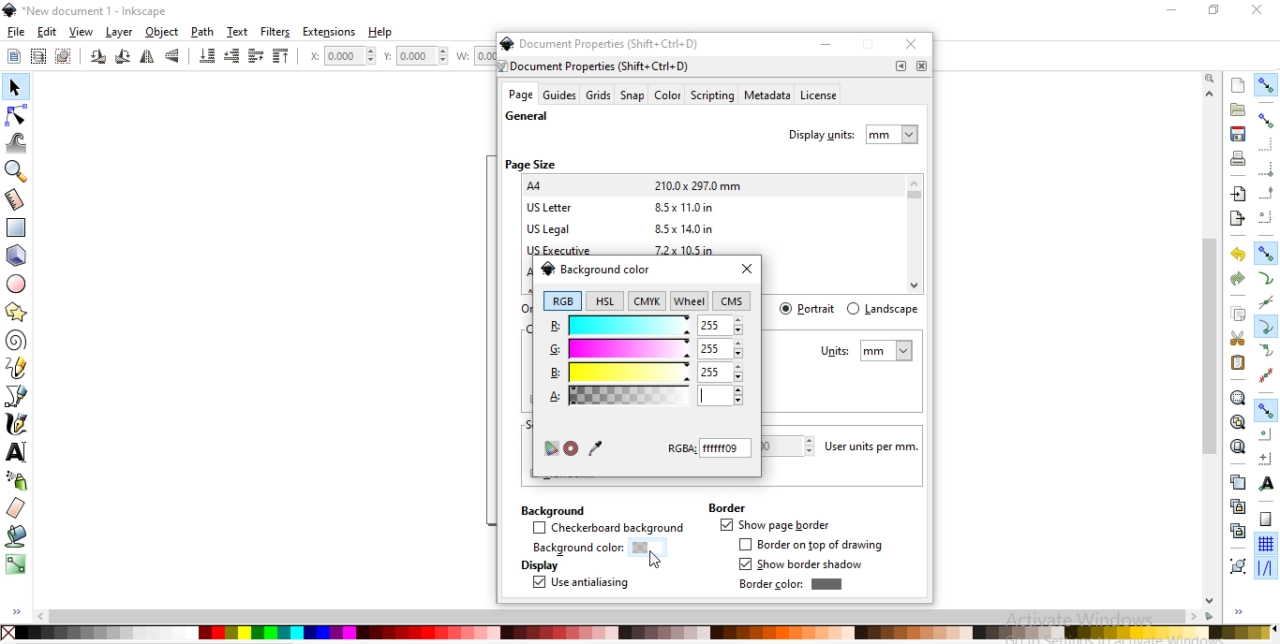 The width and height of the screenshot is (1280, 644). What do you see at coordinates (656, 562) in the screenshot?
I see `cursor` at bounding box center [656, 562].